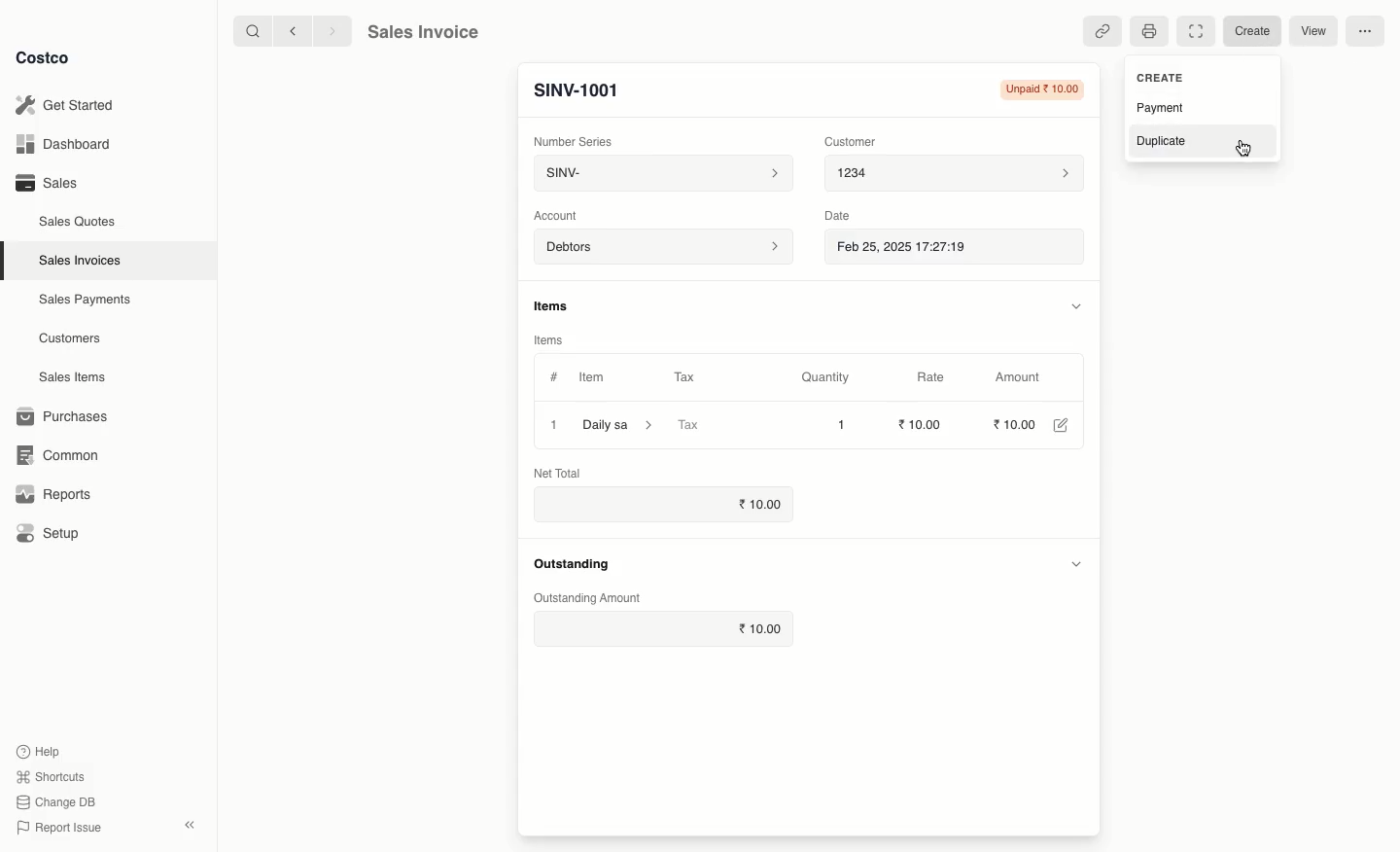  I want to click on Sales Invoices., so click(78, 262).